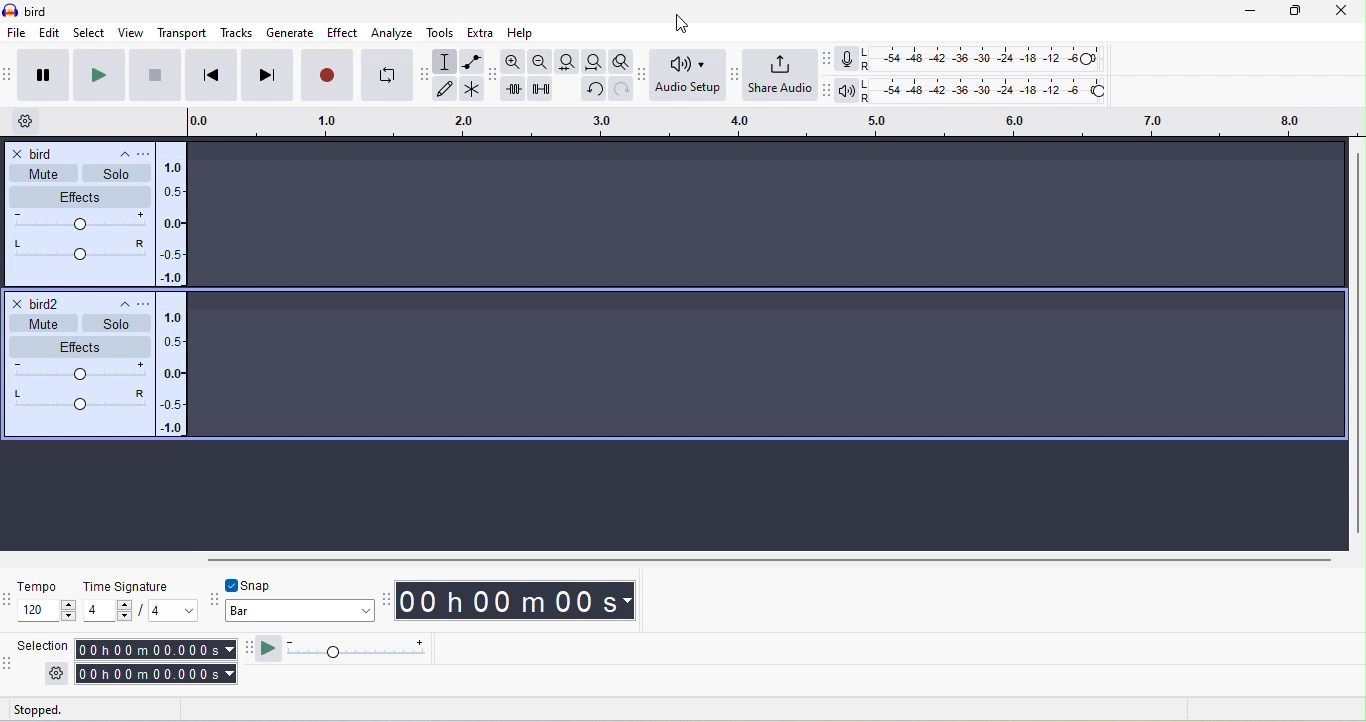 This screenshot has width=1366, height=722. I want to click on fit selection to width, so click(564, 62).